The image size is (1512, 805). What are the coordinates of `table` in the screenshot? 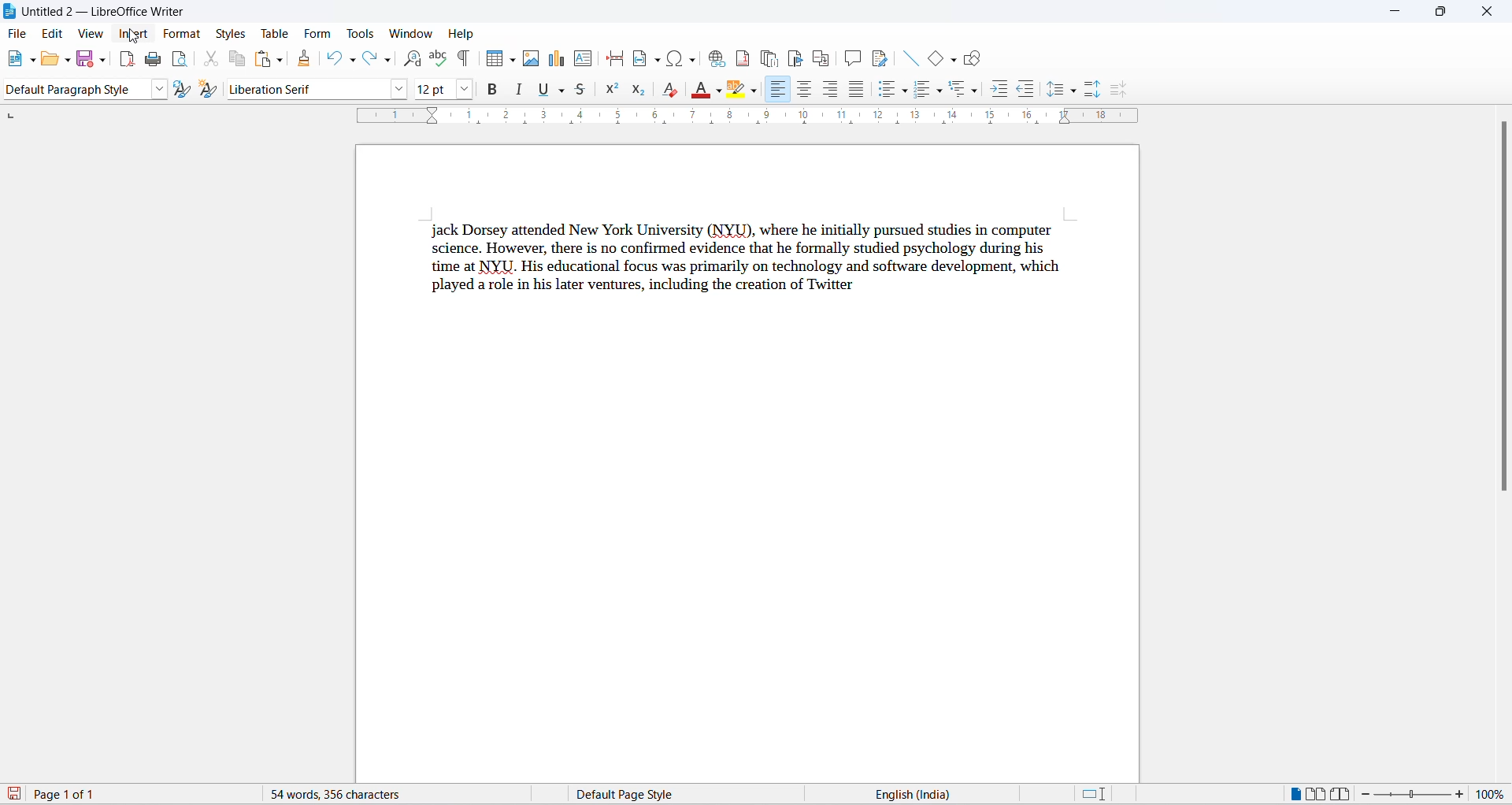 It's located at (276, 32).